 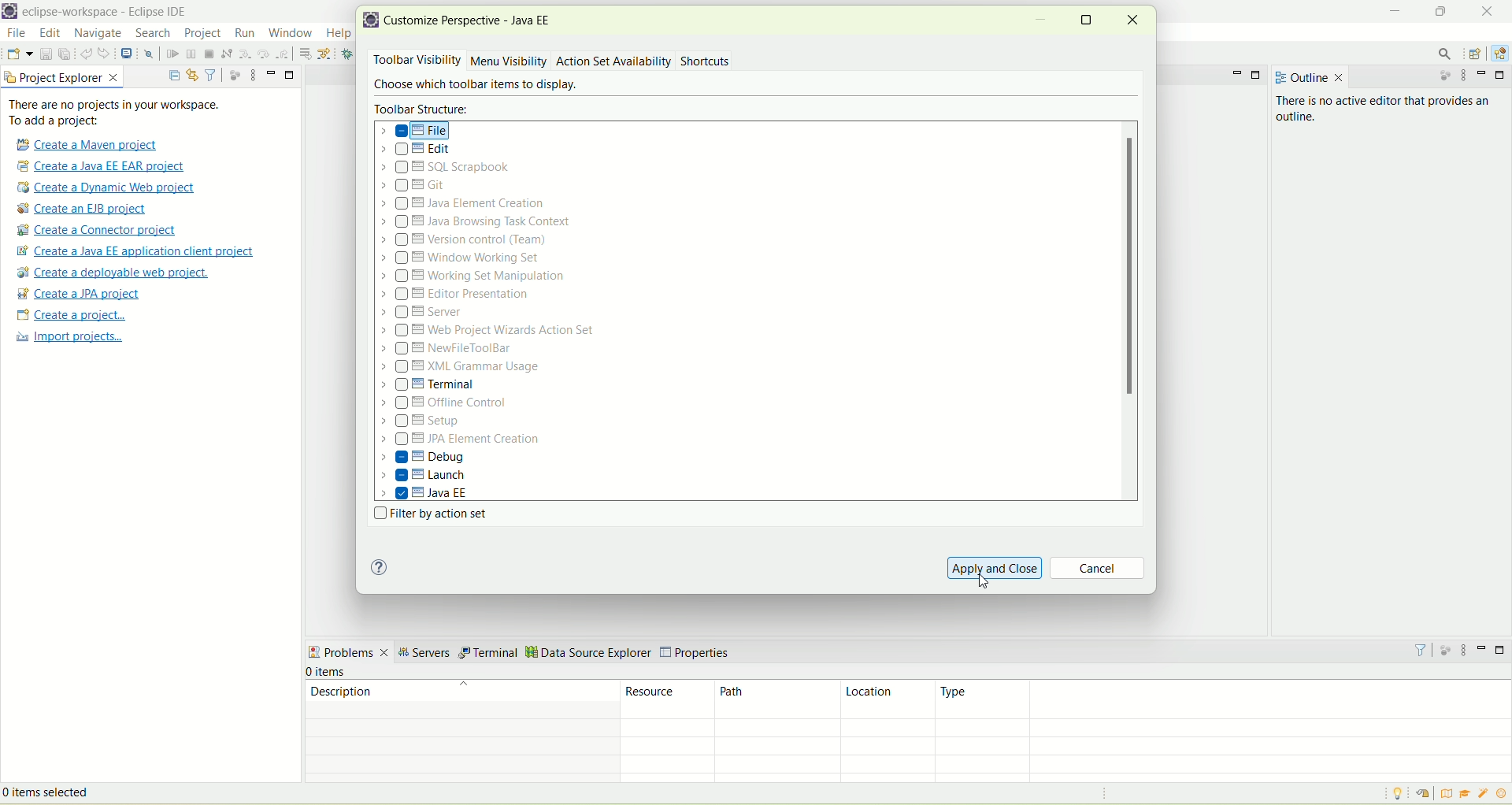 What do you see at coordinates (472, 86) in the screenshot?
I see `toolbar items to display` at bounding box center [472, 86].